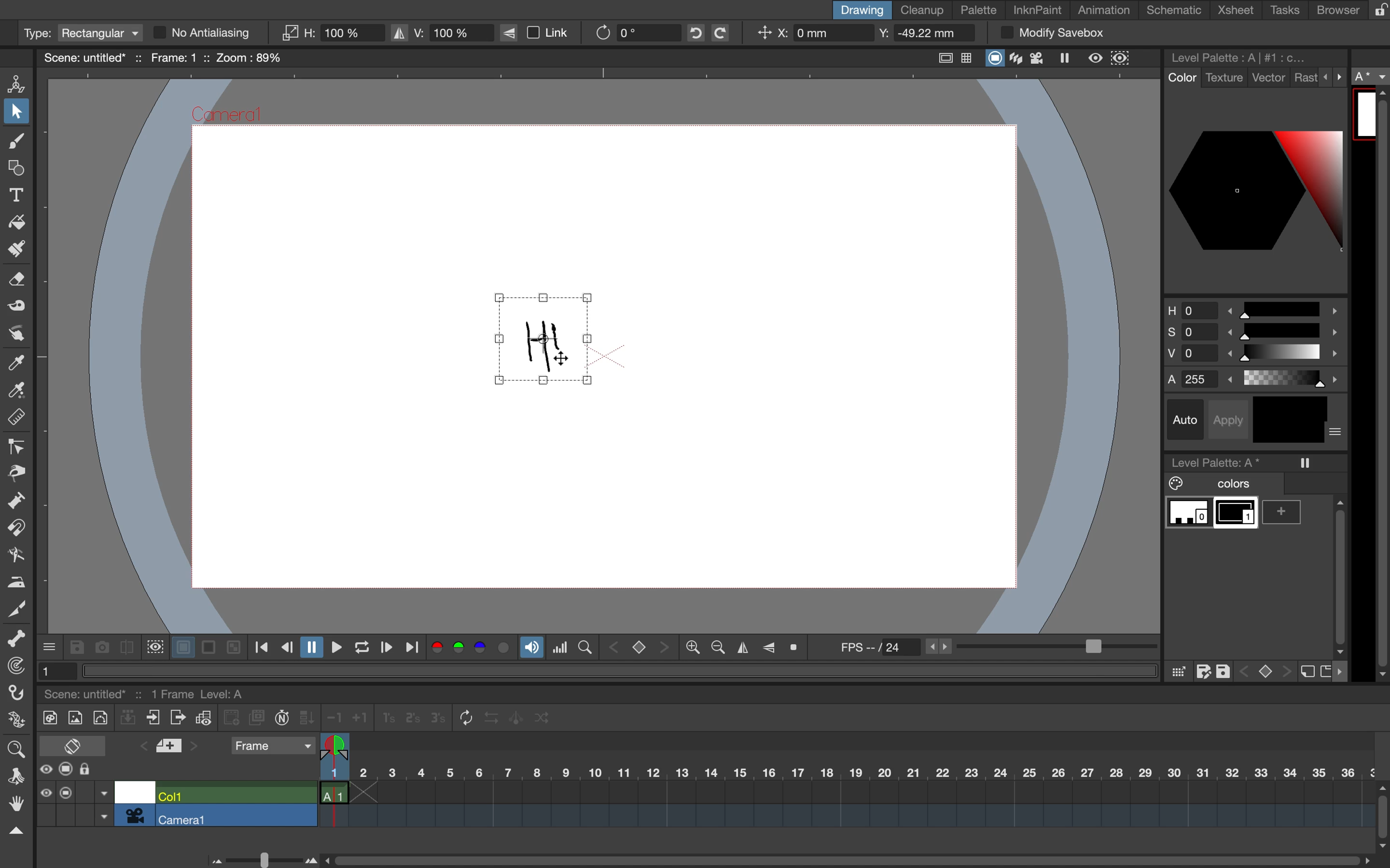 Image resolution: width=1390 pixels, height=868 pixels. I want to click on play, so click(333, 647).